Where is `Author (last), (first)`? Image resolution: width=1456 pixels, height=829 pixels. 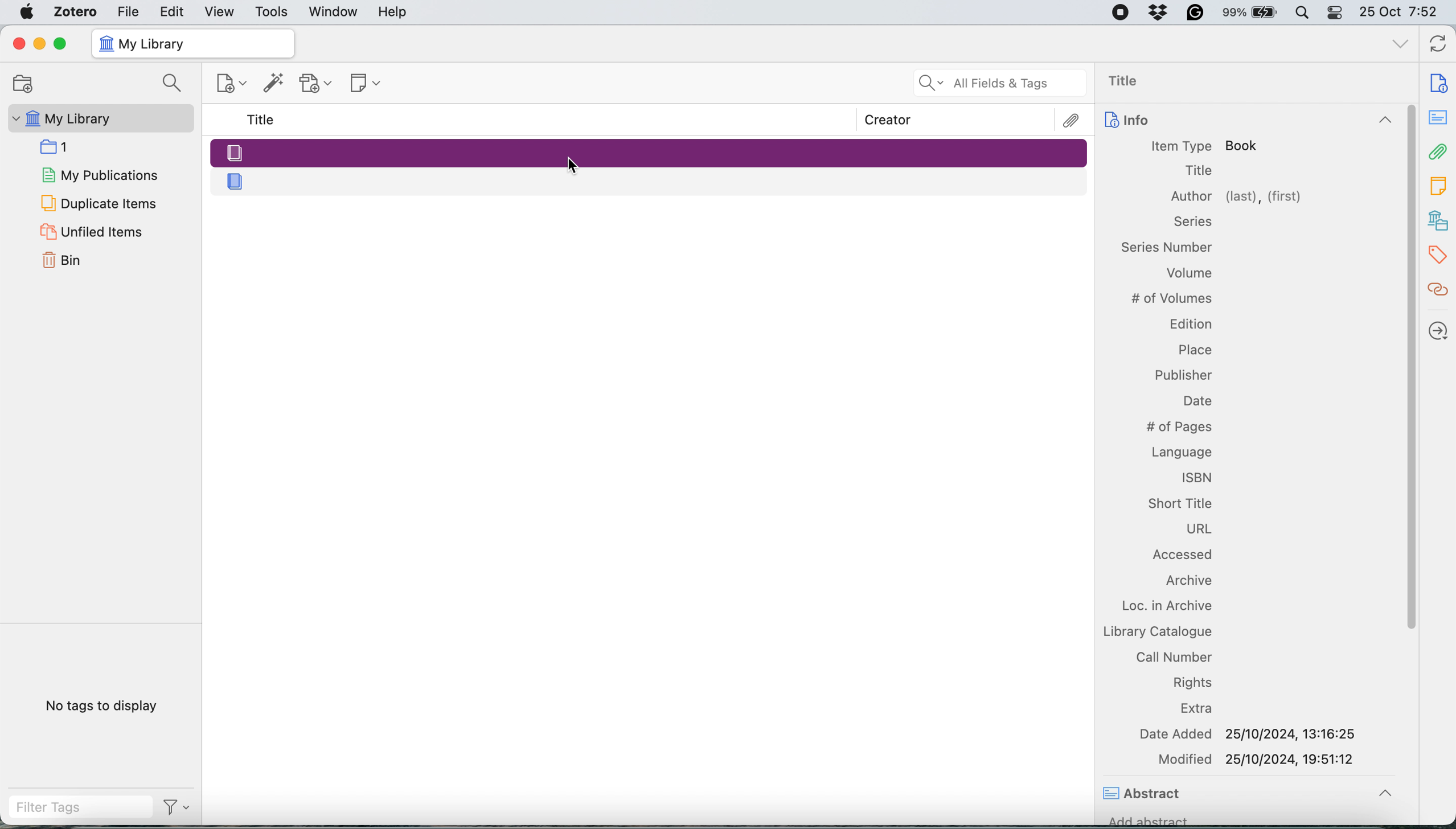
Author (last), (first) is located at coordinates (1237, 197).